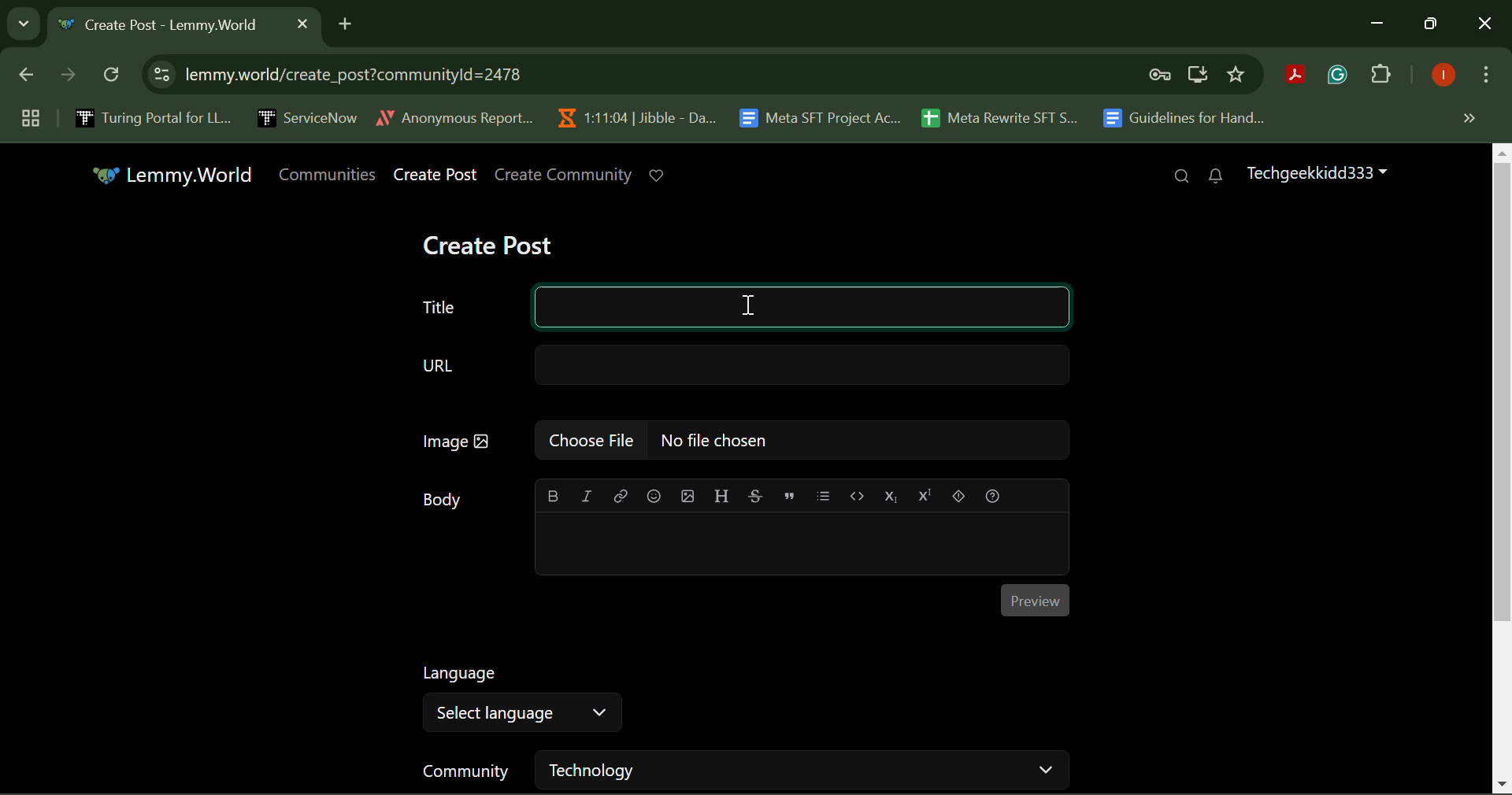 This screenshot has width=1512, height=795. What do you see at coordinates (1299, 76) in the screenshot?
I see `Browser Extension` at bounding box center [1299, 76].